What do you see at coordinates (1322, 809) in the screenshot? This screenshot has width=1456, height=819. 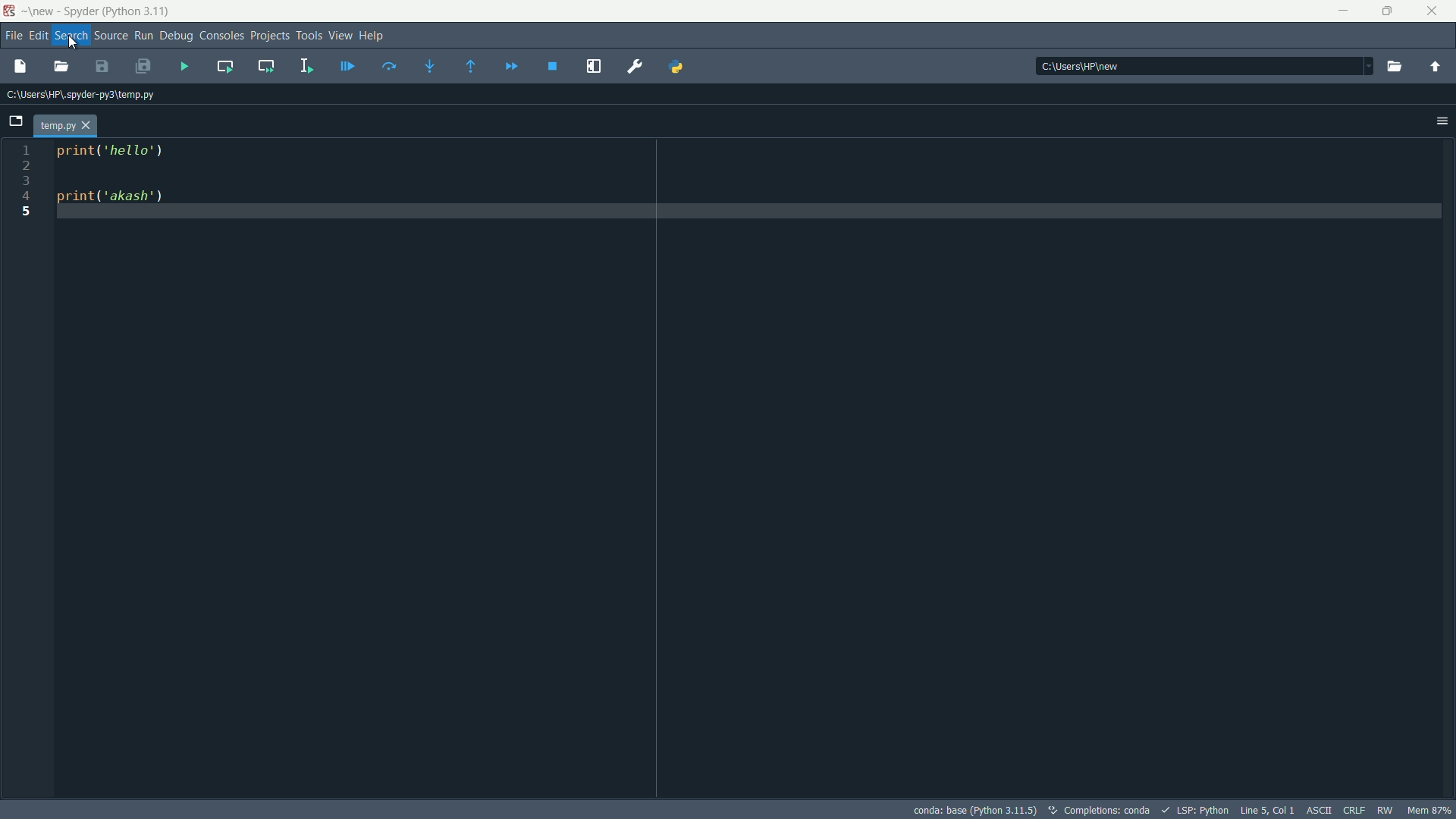 I see `file encoding` at bounding box center [1322, 809].